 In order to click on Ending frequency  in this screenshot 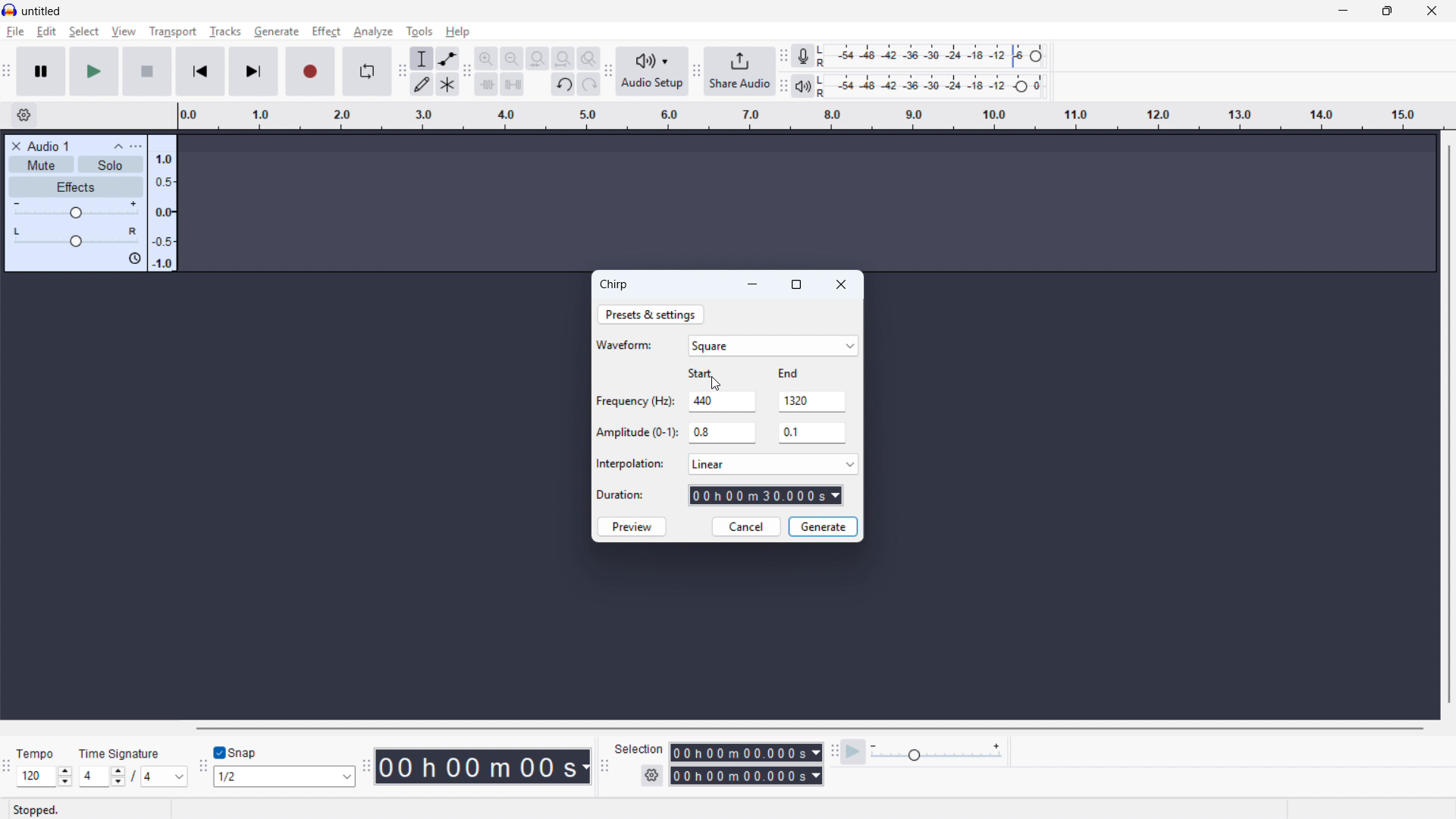, I will do `click(811, 401)`.